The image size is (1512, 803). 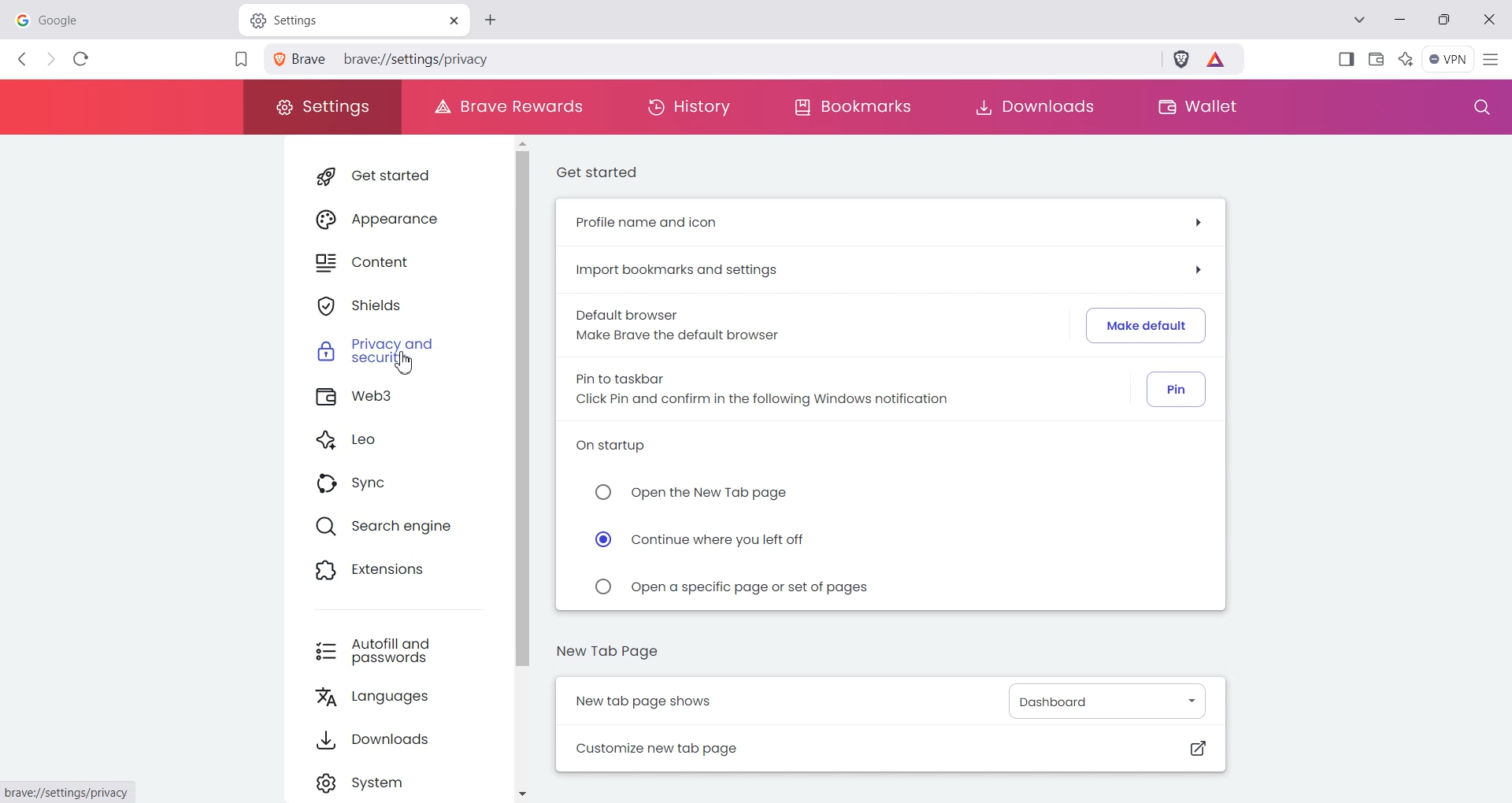 I want to click on new tab page, so click(x=610, y=650).